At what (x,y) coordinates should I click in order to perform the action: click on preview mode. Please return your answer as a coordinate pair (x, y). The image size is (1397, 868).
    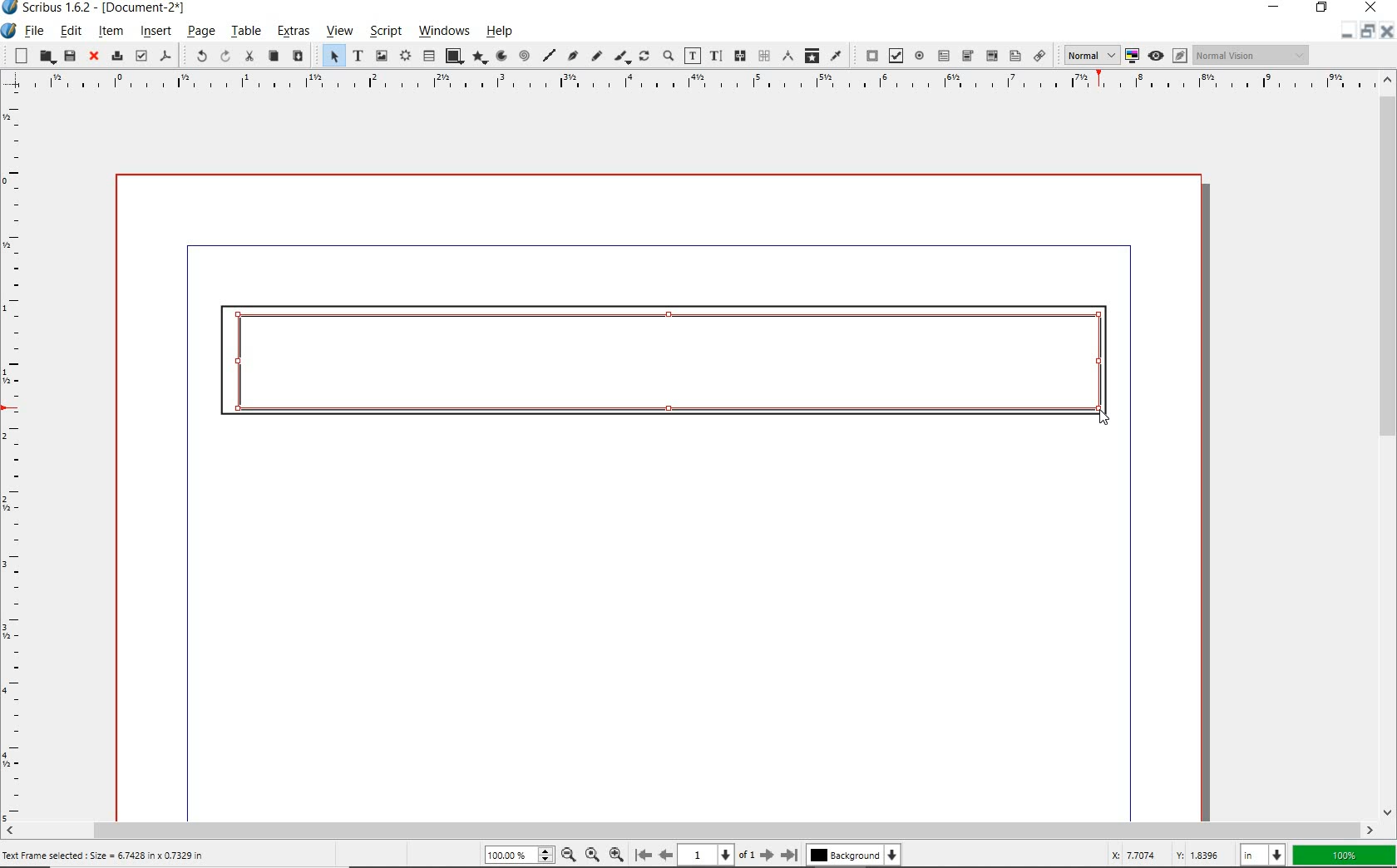
    Looking at the image, I should click on (1166, 56).